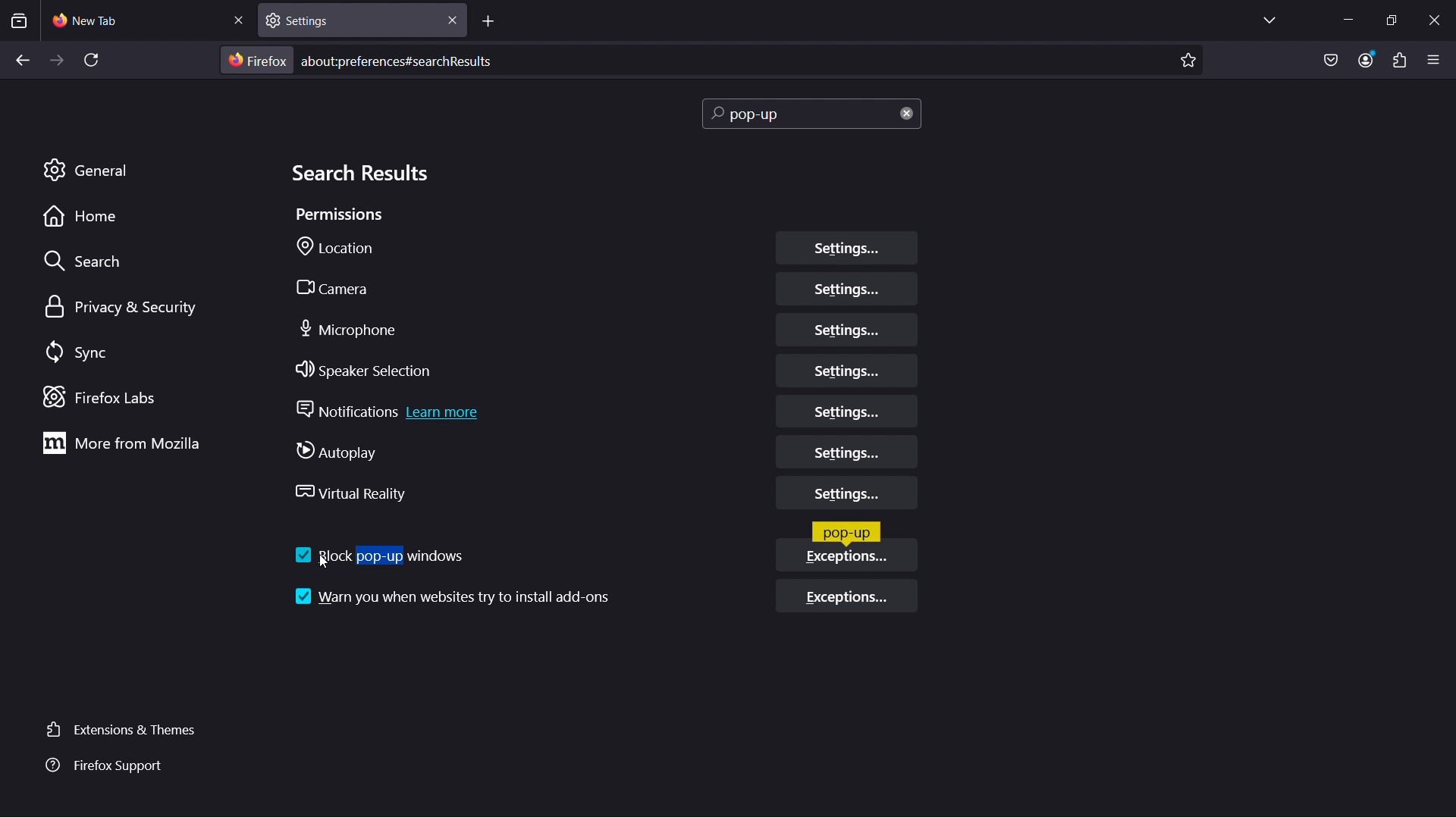 This screenshot has height=817, width=1456. Describe the element at coordinates (1395, 19) in the screenshot. I see `Maximize` at that location.